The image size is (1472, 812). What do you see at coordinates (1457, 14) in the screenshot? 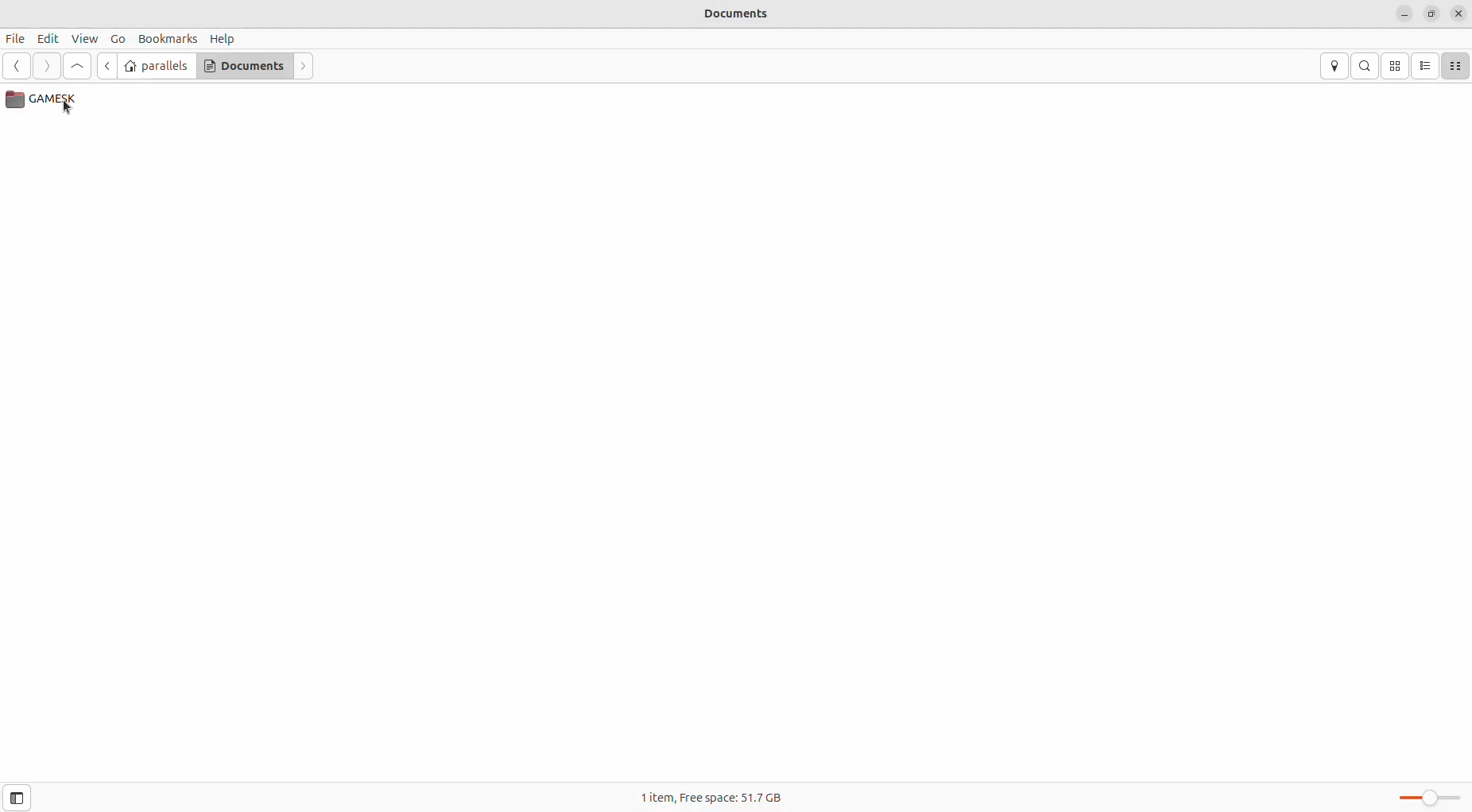
I see `close` at bounding box center [1457, 14].